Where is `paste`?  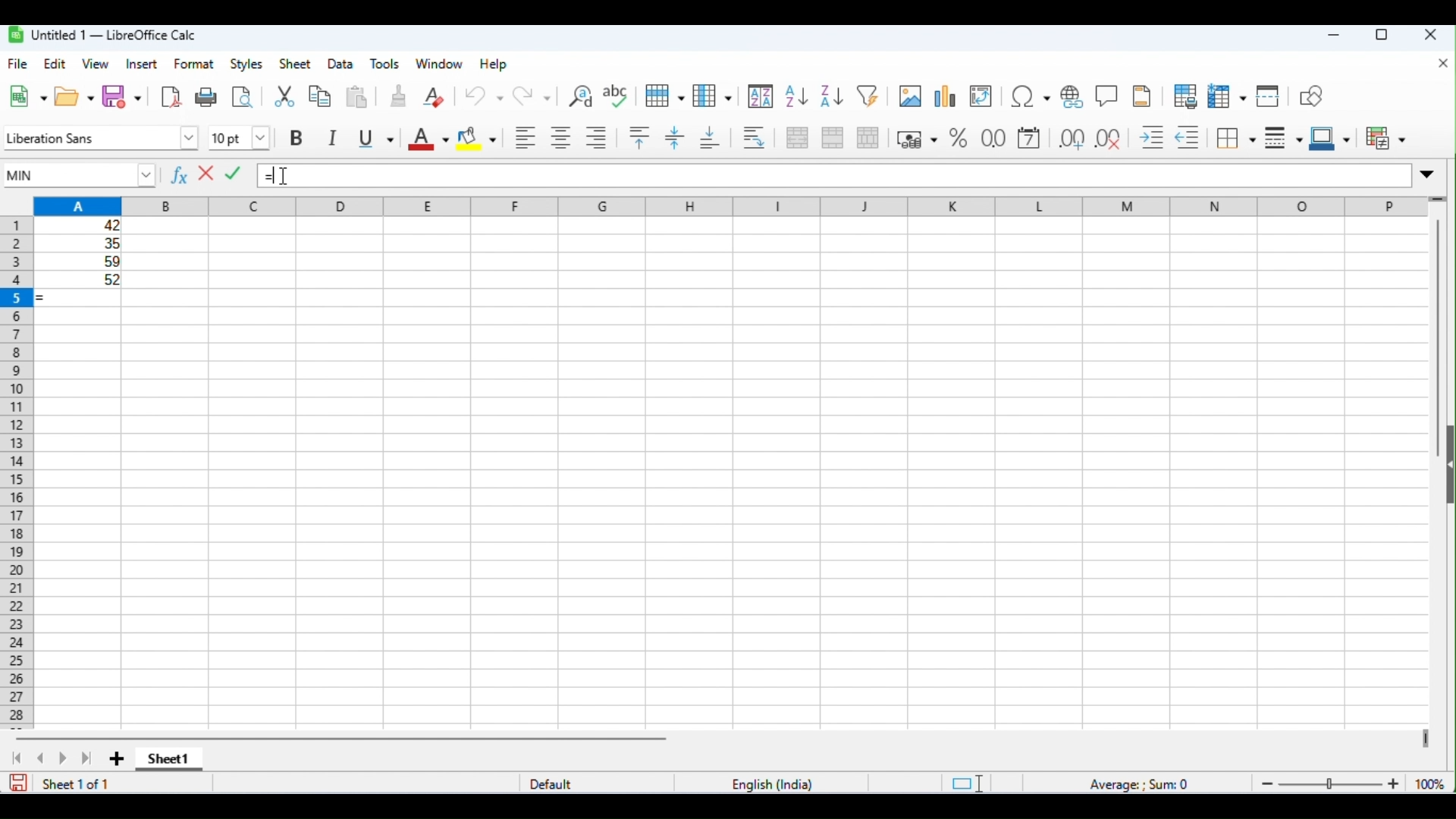
paste is located at coordinates (359, 98).